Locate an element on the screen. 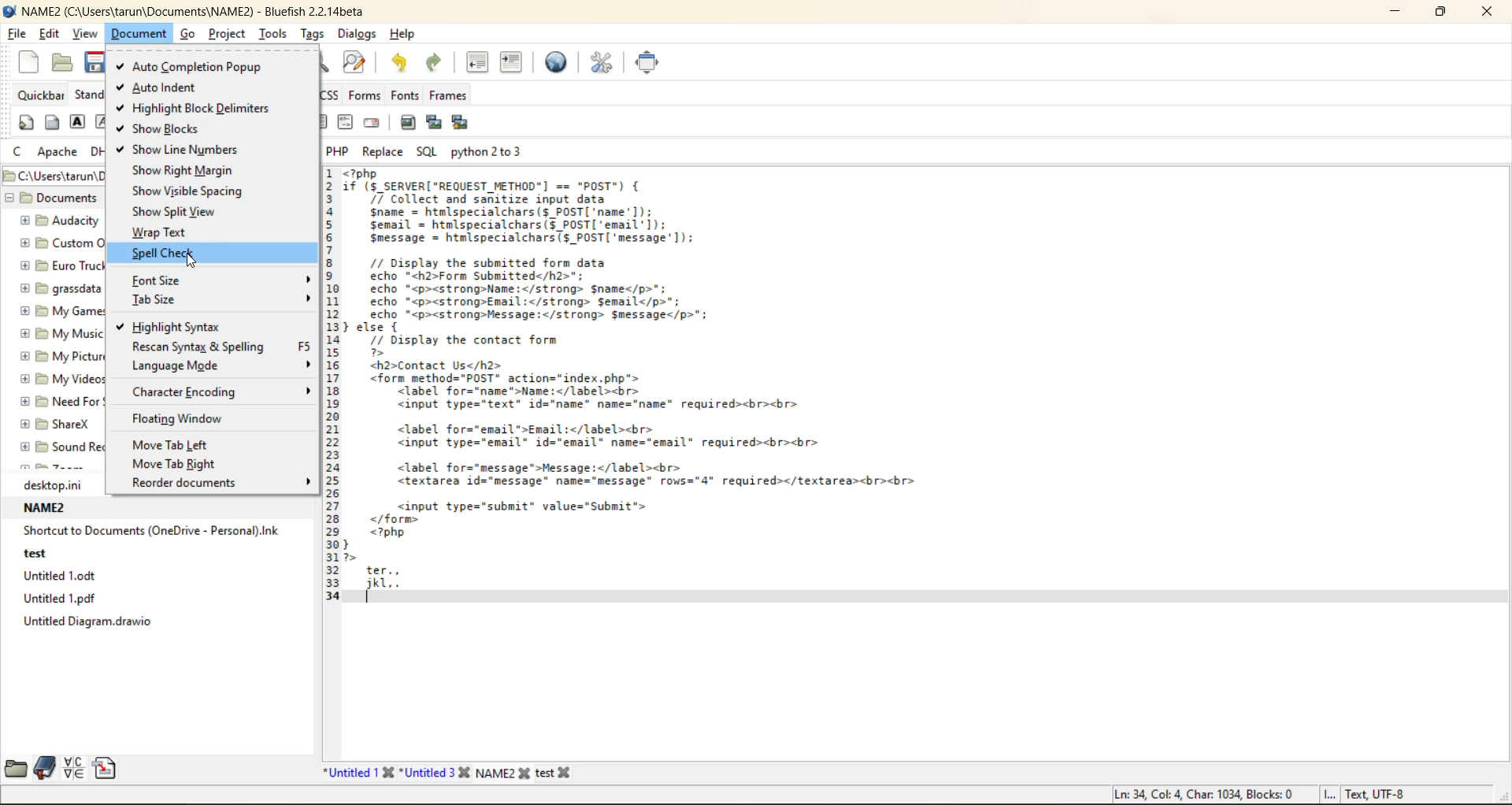 This screenshot has height=805, width=1512. undo is located at coordinates (402, 64).